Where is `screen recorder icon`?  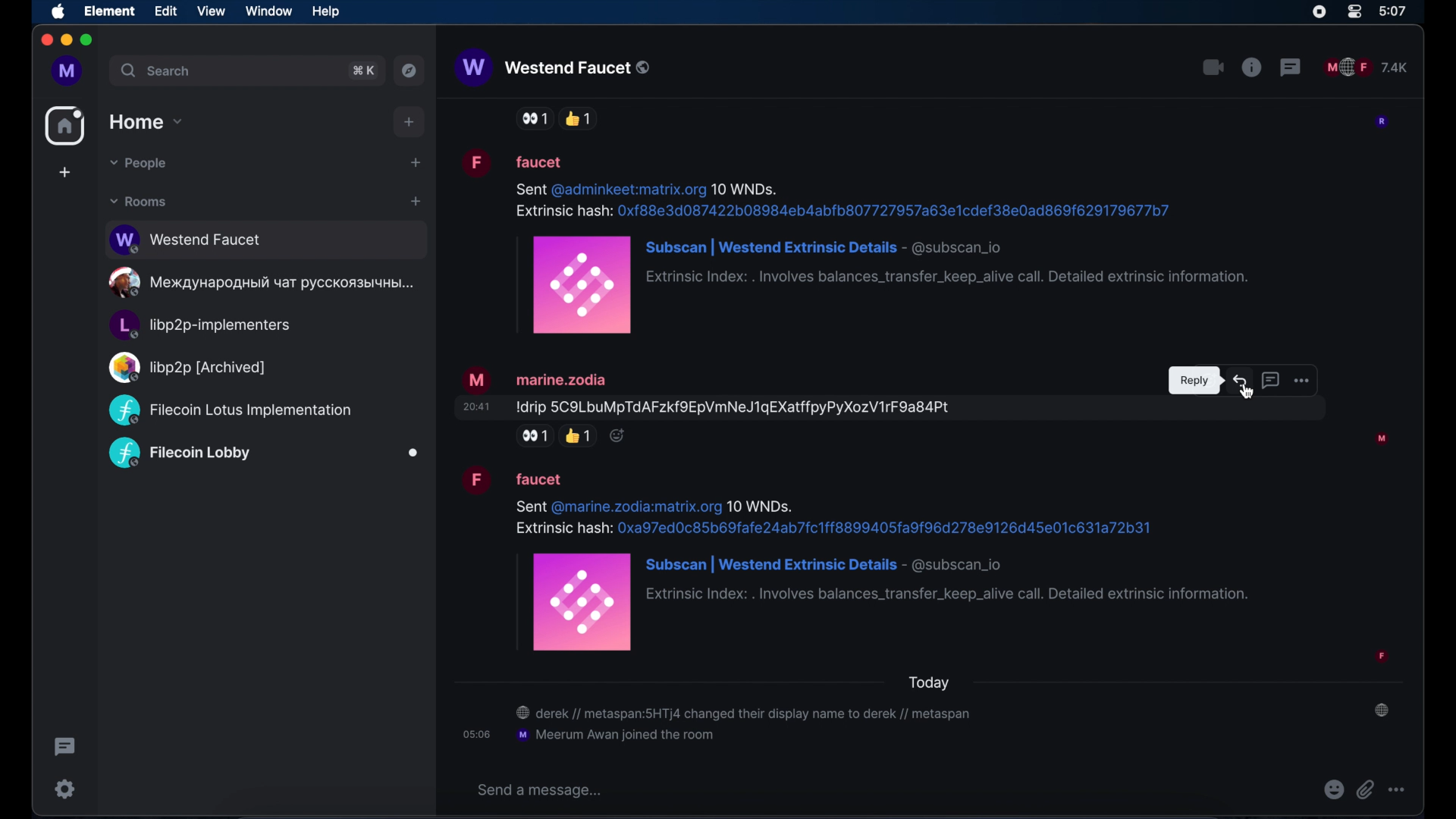
screen recorder icon is located at coordinates (1319, 12).